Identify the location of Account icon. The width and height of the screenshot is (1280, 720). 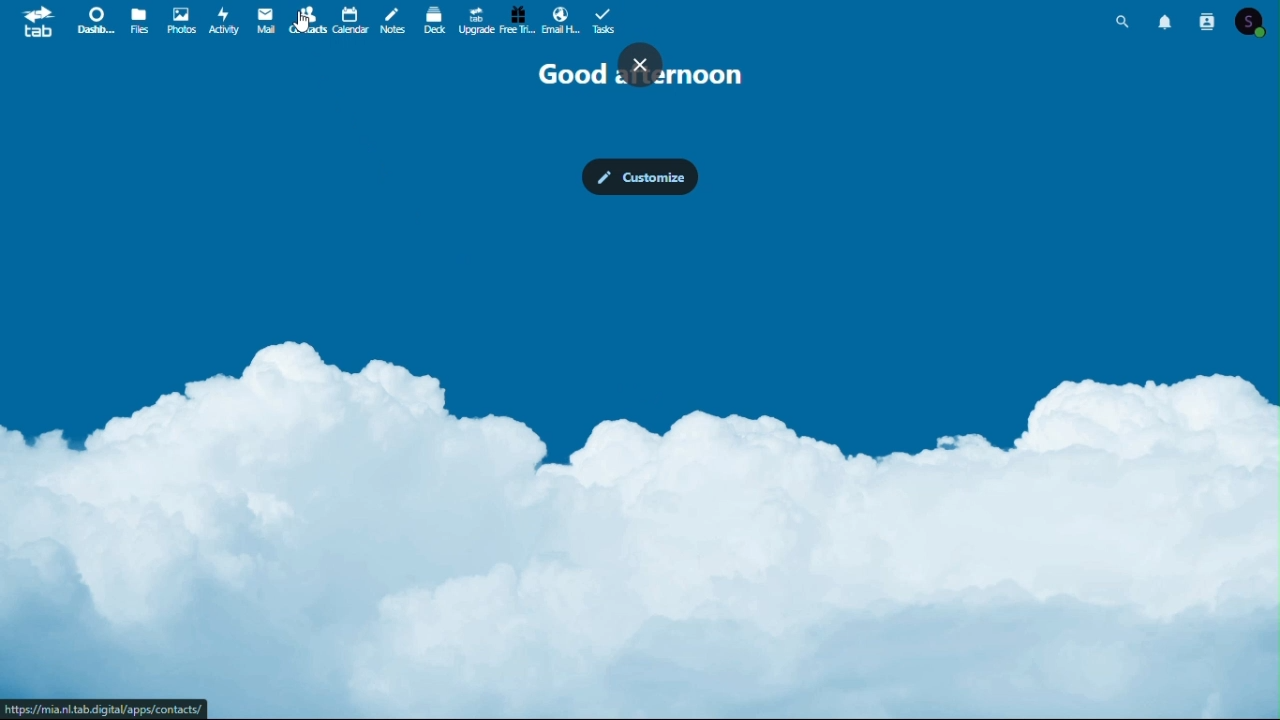
(1258, 22).